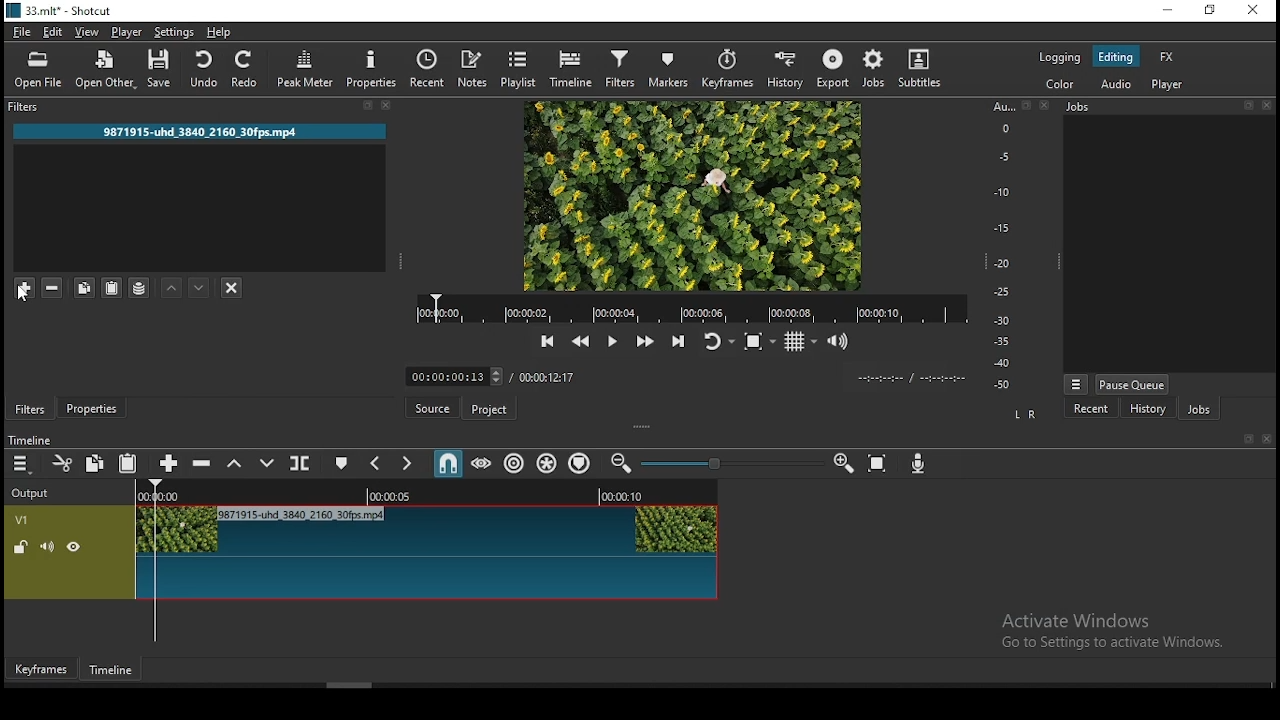 Image resolution: width=1280 pixels, height=720 pixels. What do you see at coordinates (30, 494) in the screenshot?
I see `Output` at bounding box center [30, 494].